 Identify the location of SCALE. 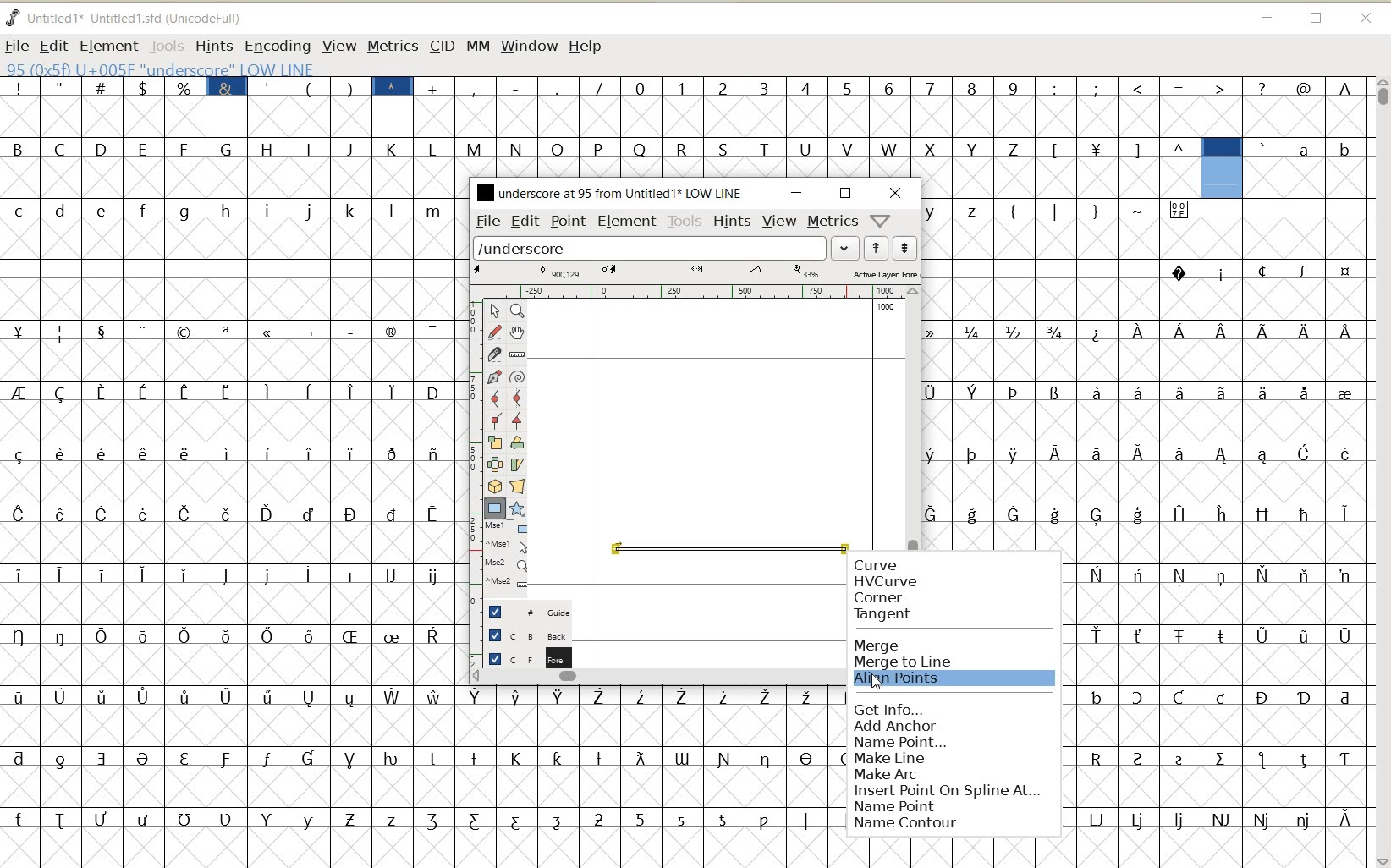
(471, 447).